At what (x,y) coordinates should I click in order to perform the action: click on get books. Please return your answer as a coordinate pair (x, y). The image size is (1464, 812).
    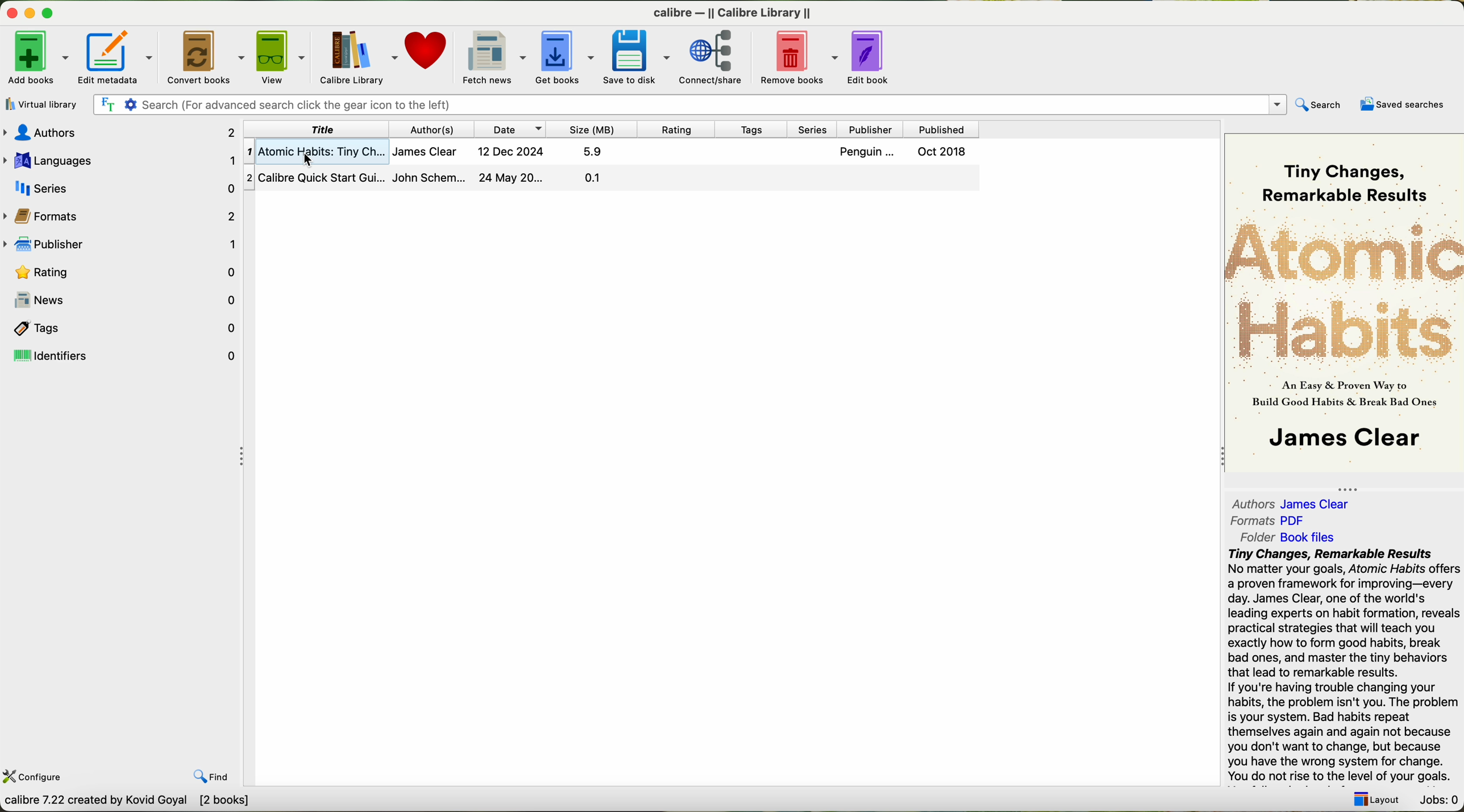
    Looking at the image, I should click on (566, 59).